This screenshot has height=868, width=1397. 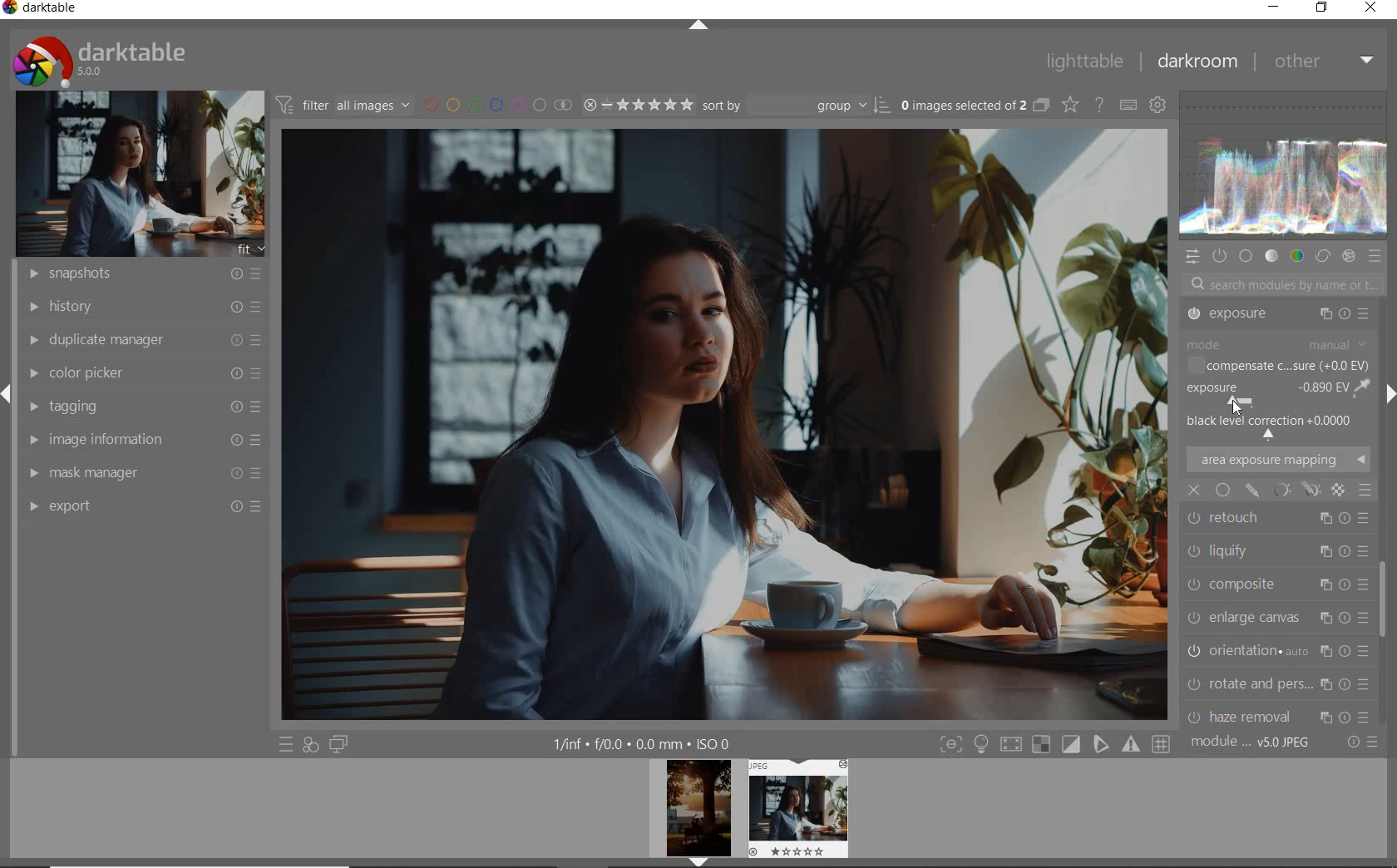 What do you see at coordinates (1219, 257) in the screenshot?
I see `SHOW ONLY ACTIVE MODULES` at bounding box center [1219, 257].